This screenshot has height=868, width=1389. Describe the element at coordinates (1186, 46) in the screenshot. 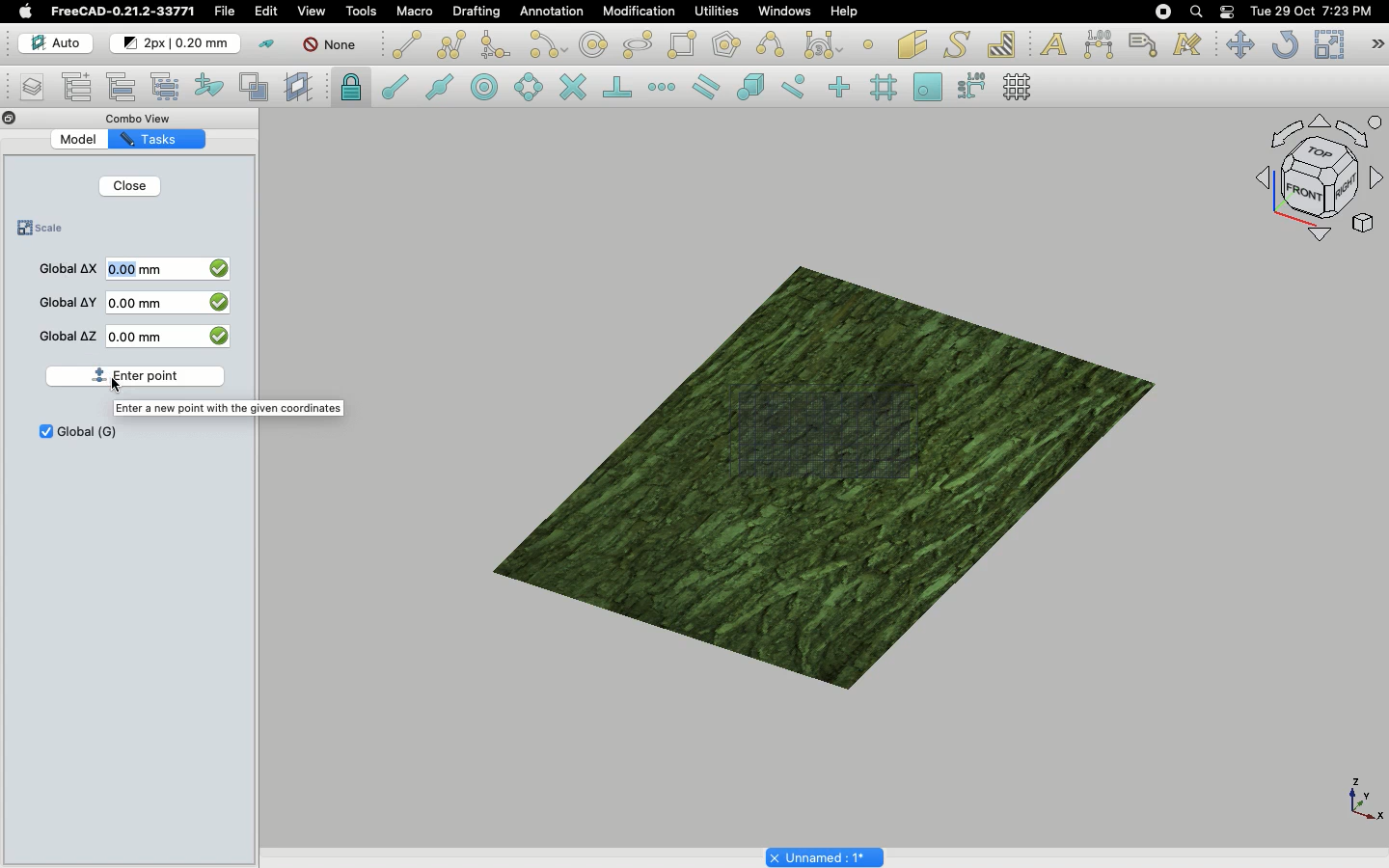

I see `Annotation styles` at that location.